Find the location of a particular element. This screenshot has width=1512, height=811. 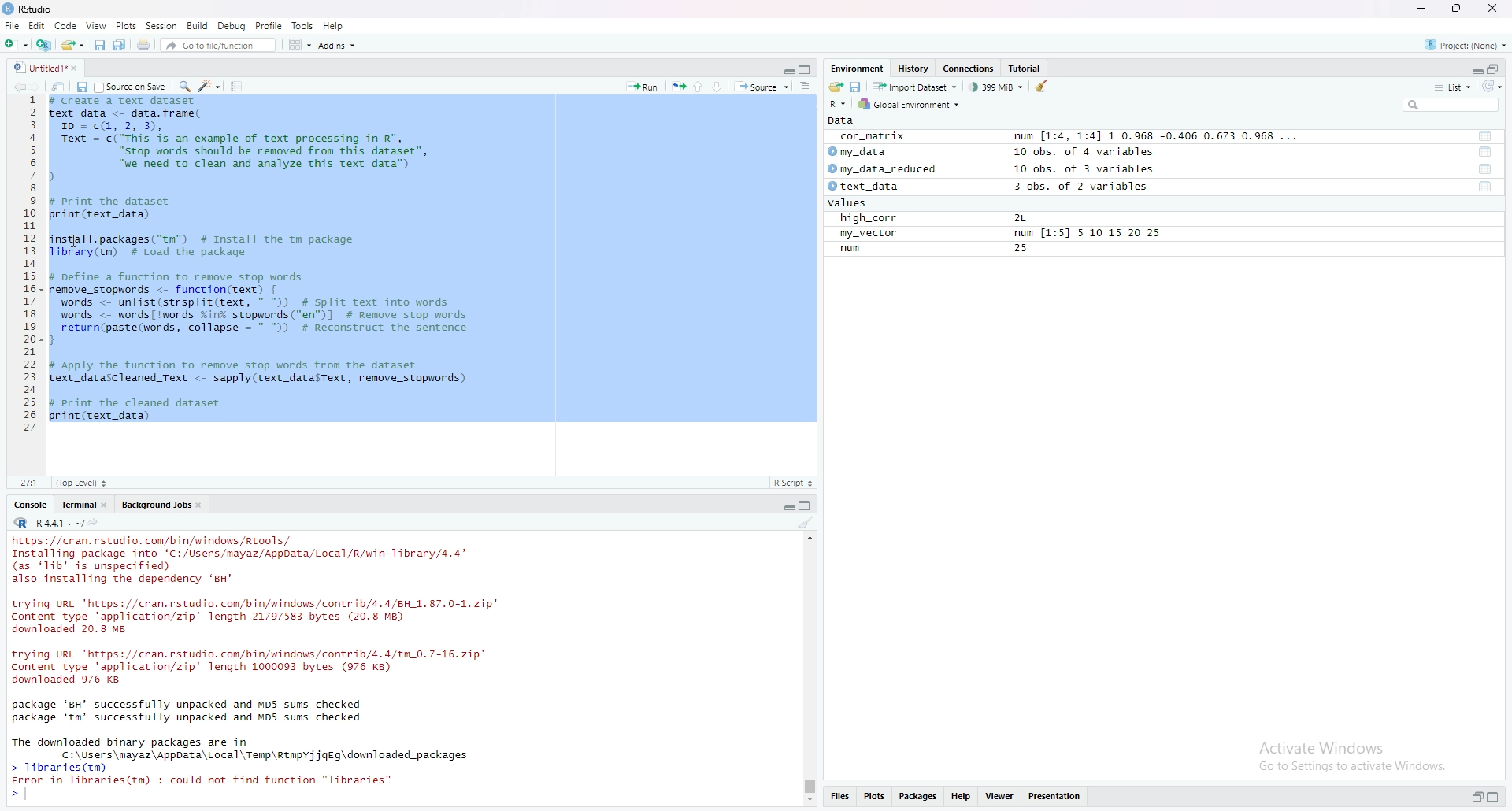

collapse is located at coordinates (1497, 69).